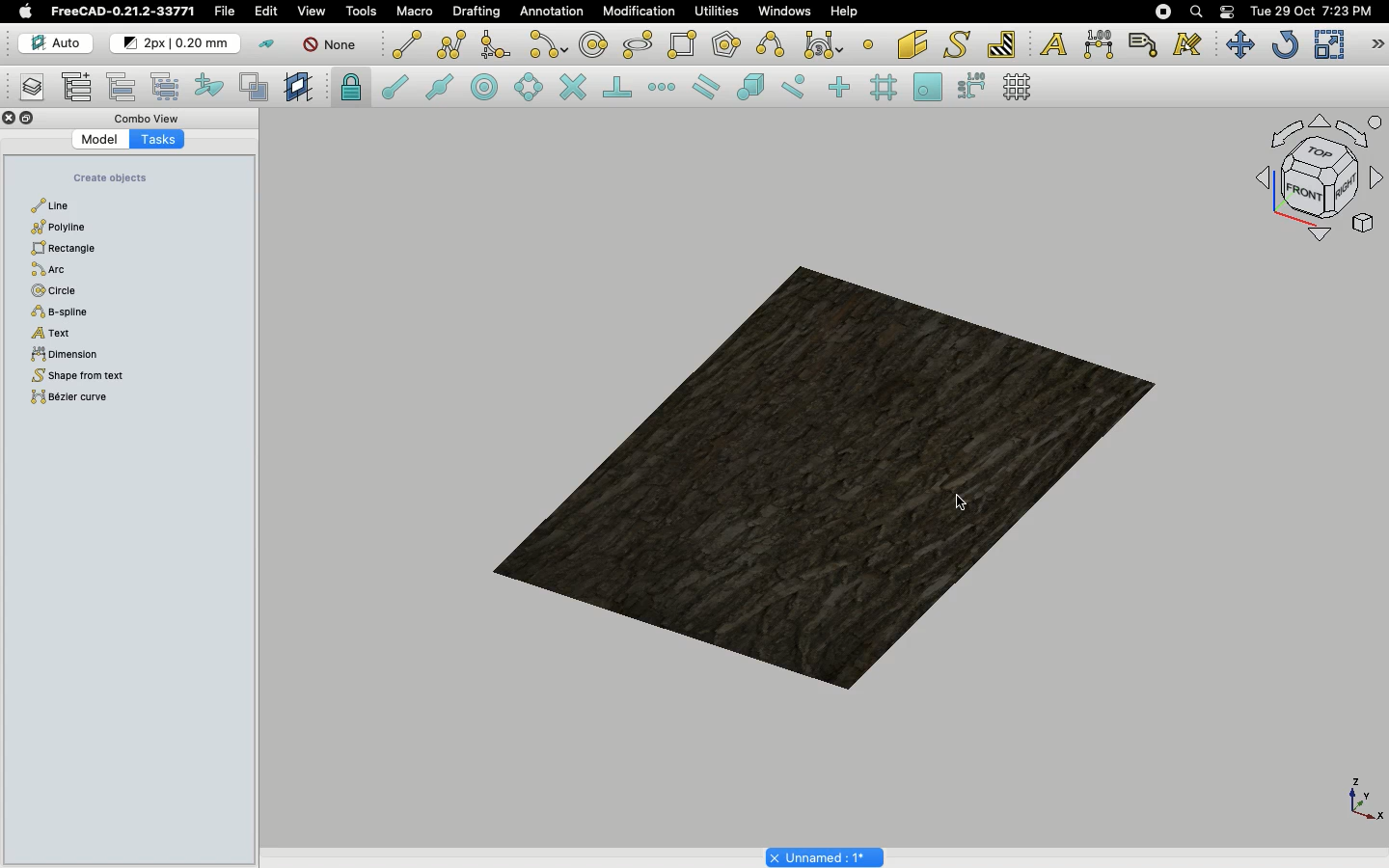 The image size is (1389, 868). Describe the element at coordinates (1195, 12) in the screenshot. I see `Search` at that location.